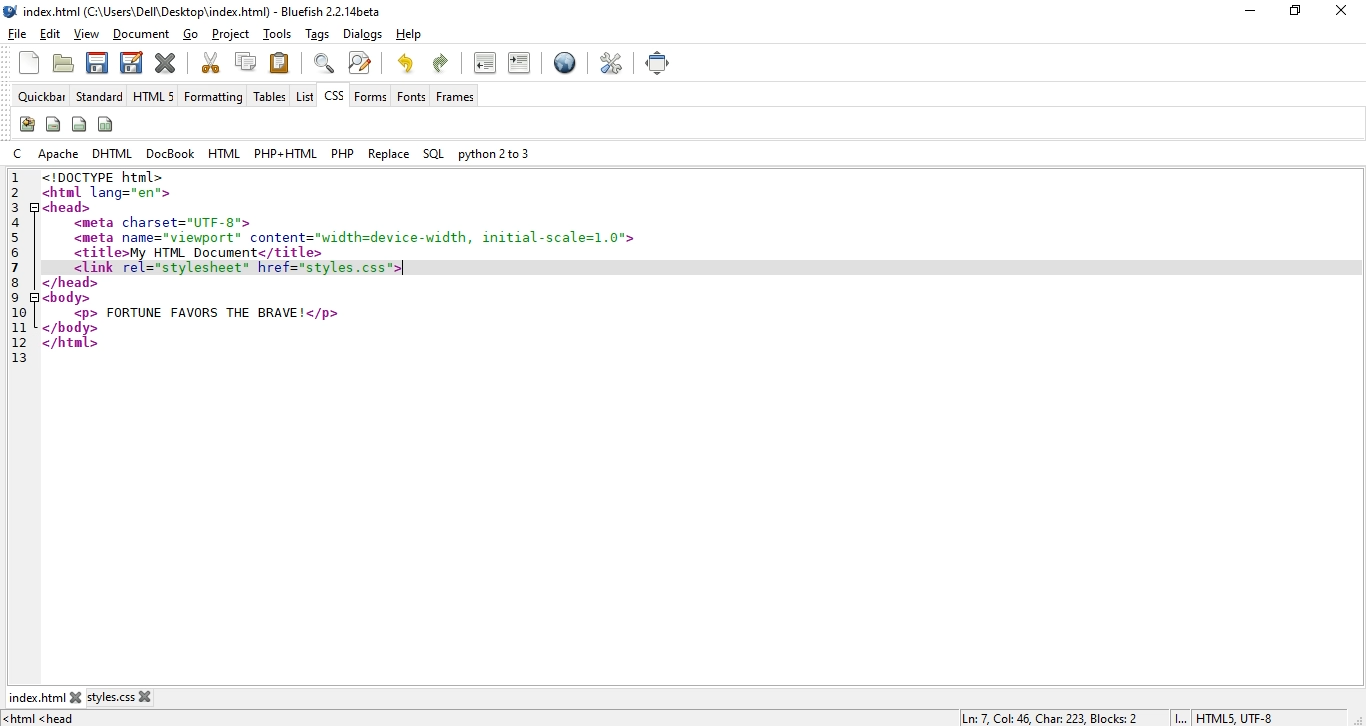  Describe the element at coordinates (333, 98) in the screenshot. I see `css` at that location.